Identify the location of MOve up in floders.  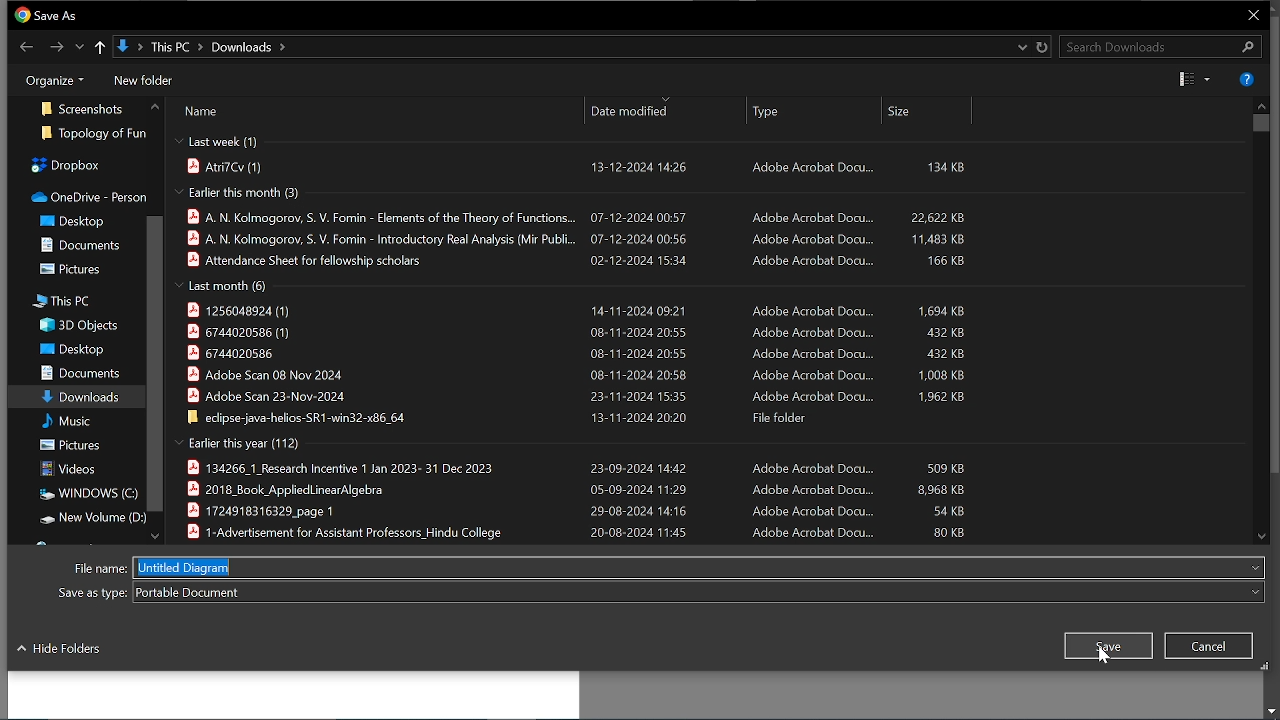
(153, 107).